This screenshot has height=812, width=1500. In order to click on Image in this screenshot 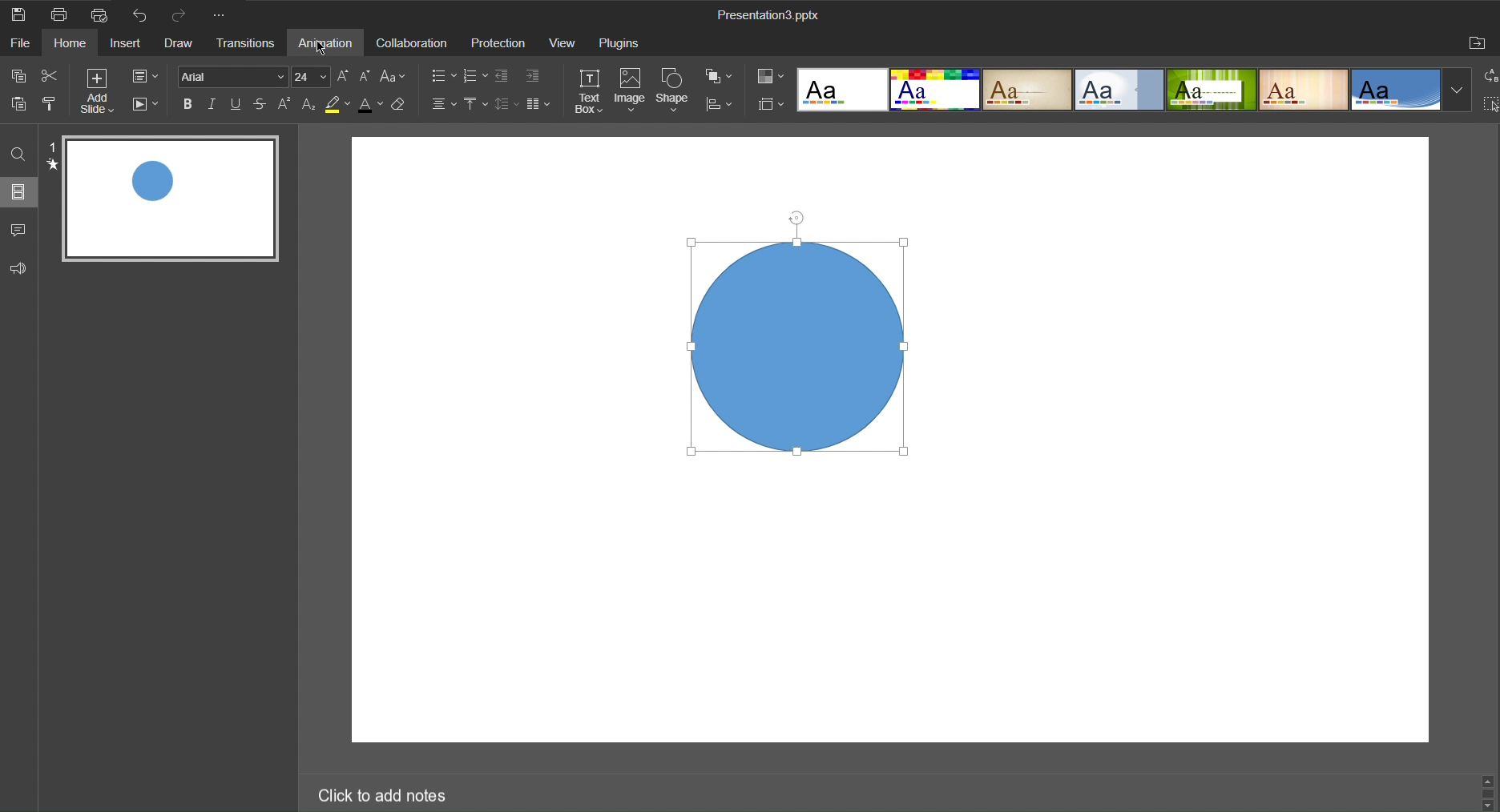, I will do `click(634, 90)`.